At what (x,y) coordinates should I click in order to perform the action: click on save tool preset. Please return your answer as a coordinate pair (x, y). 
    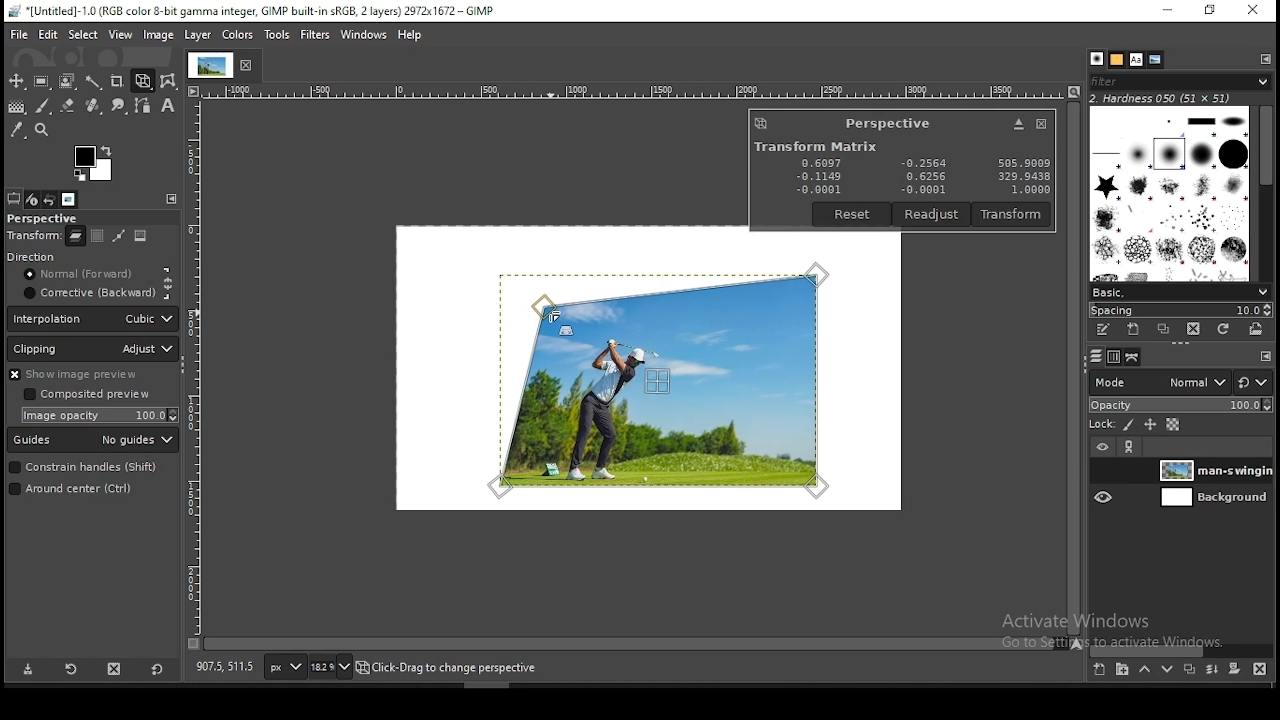
    Looking at the image, I should click on (28, 670).